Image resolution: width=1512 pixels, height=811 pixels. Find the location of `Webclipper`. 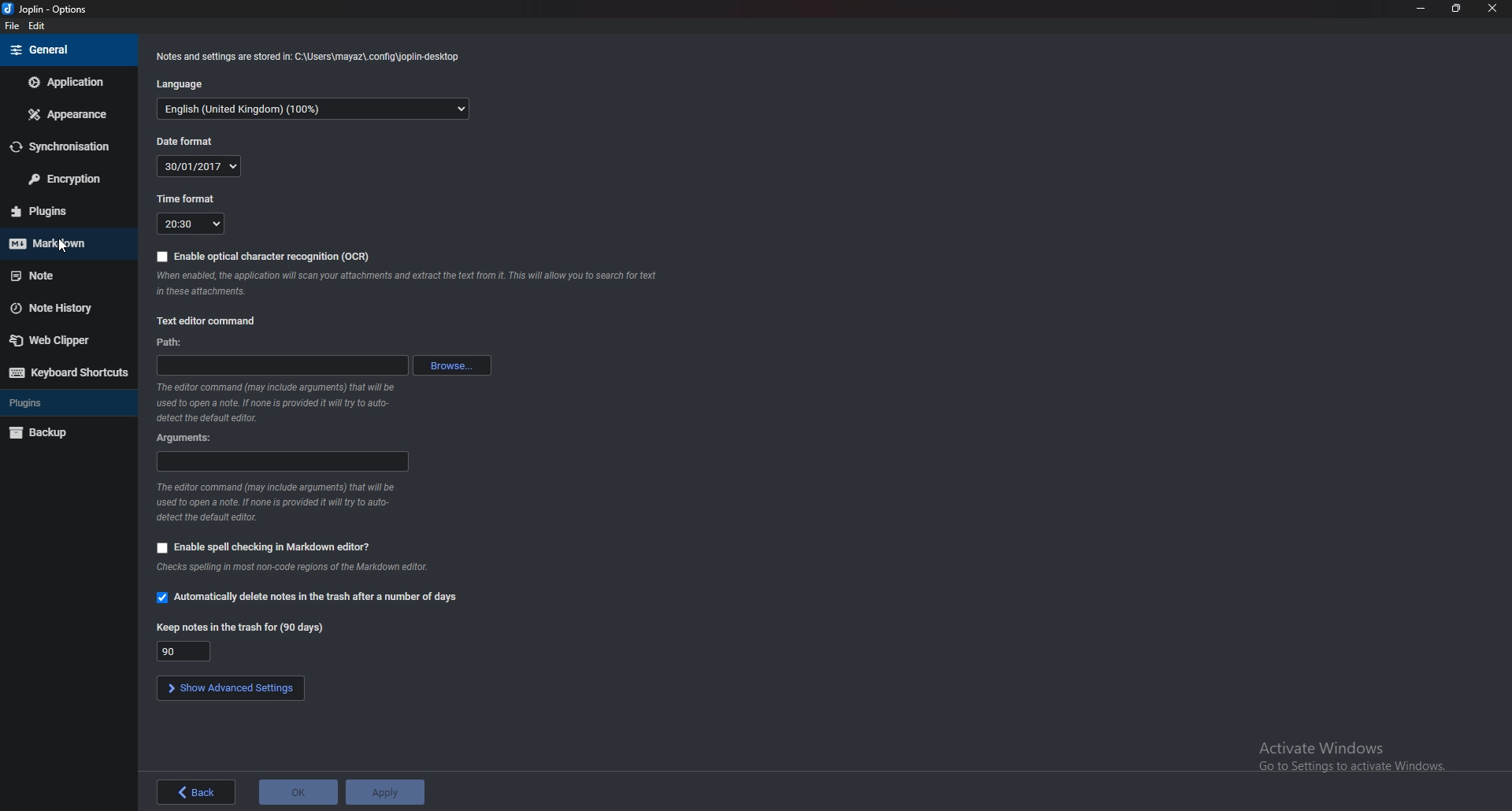

Webclipper is located at coordinates (67, 342).